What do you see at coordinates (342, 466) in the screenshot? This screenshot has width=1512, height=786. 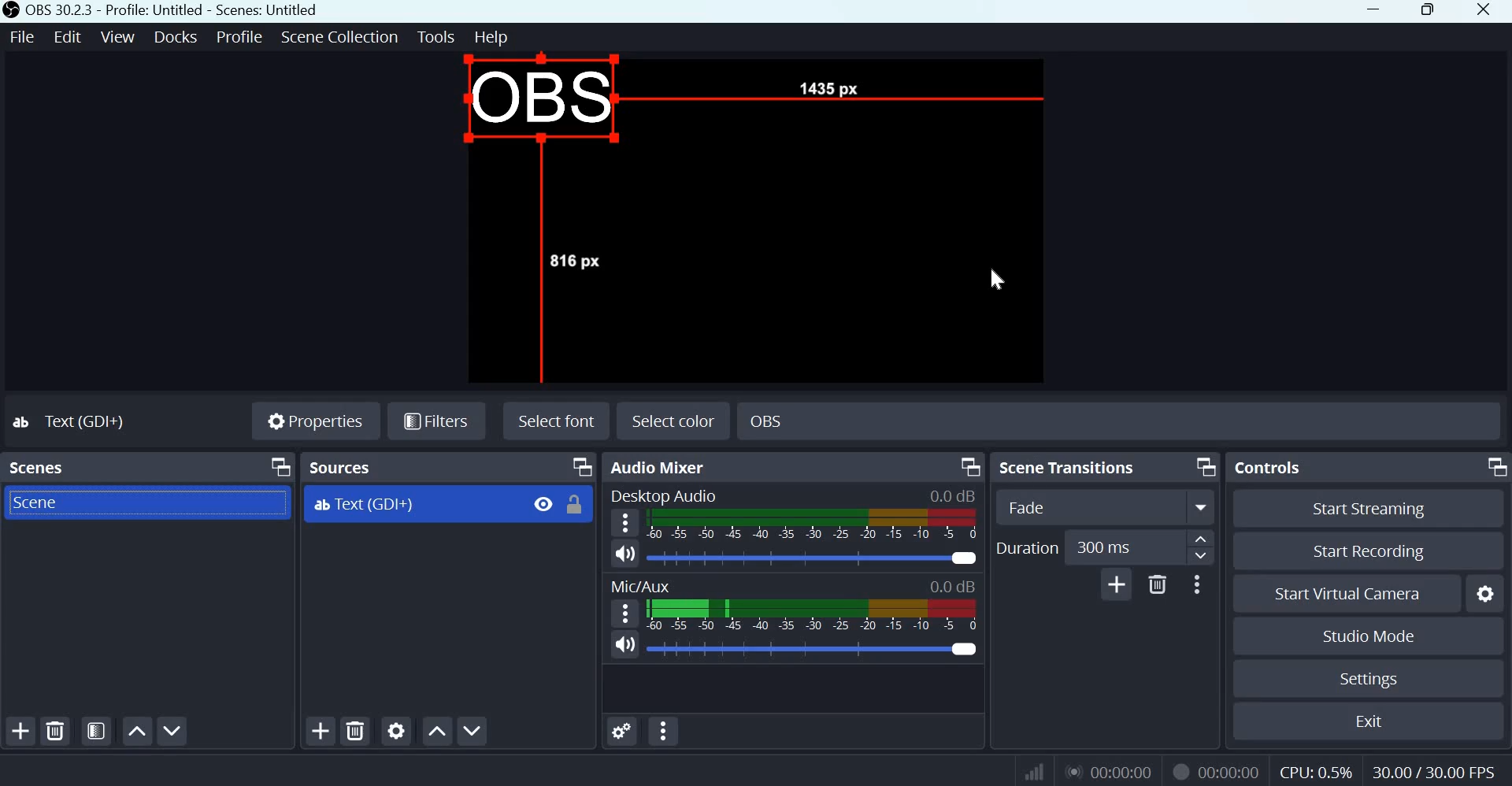 I see `Sources` at bounding box center [342, 466].